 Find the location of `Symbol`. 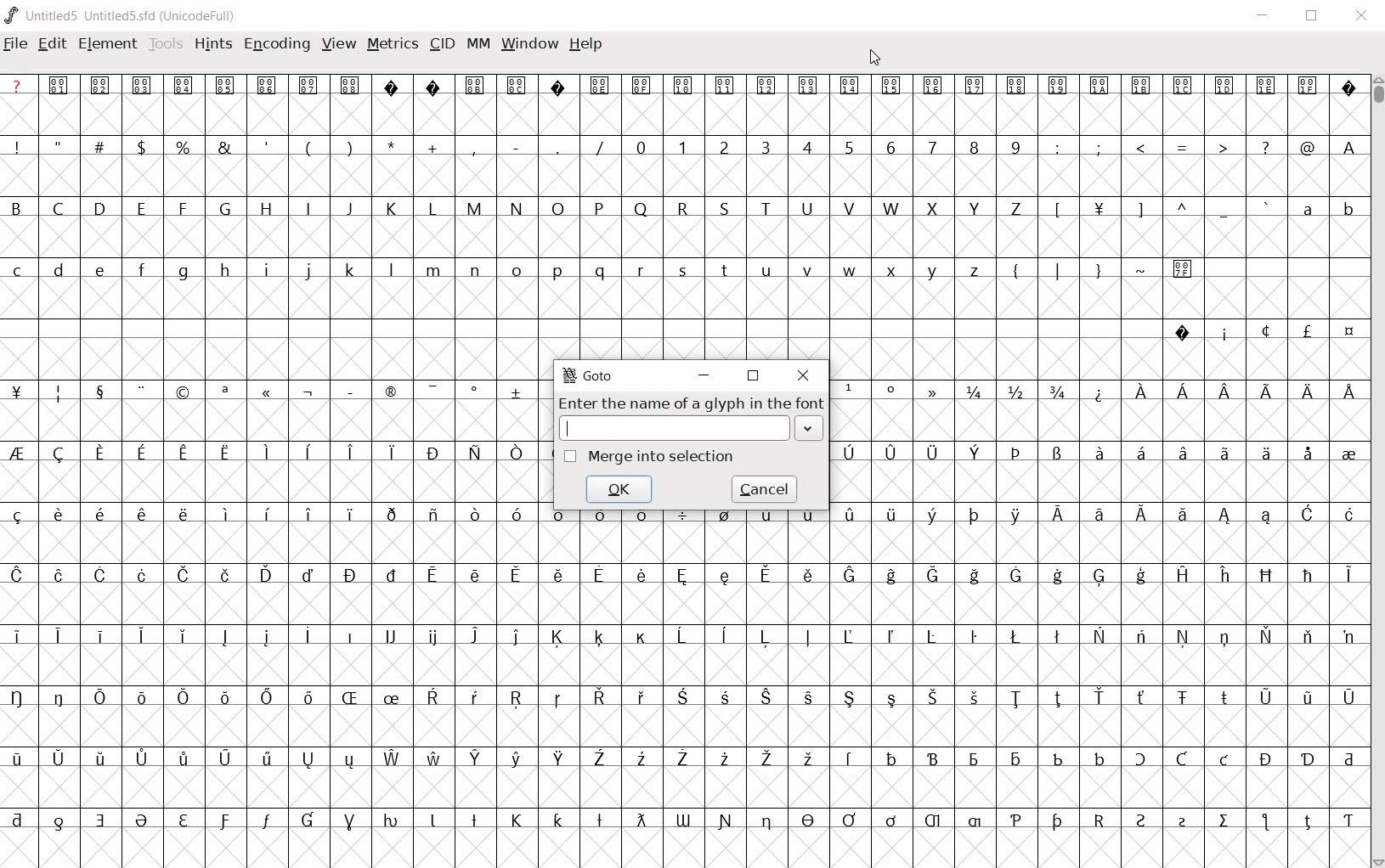

Symbol is located at coordinates (1017, 85).